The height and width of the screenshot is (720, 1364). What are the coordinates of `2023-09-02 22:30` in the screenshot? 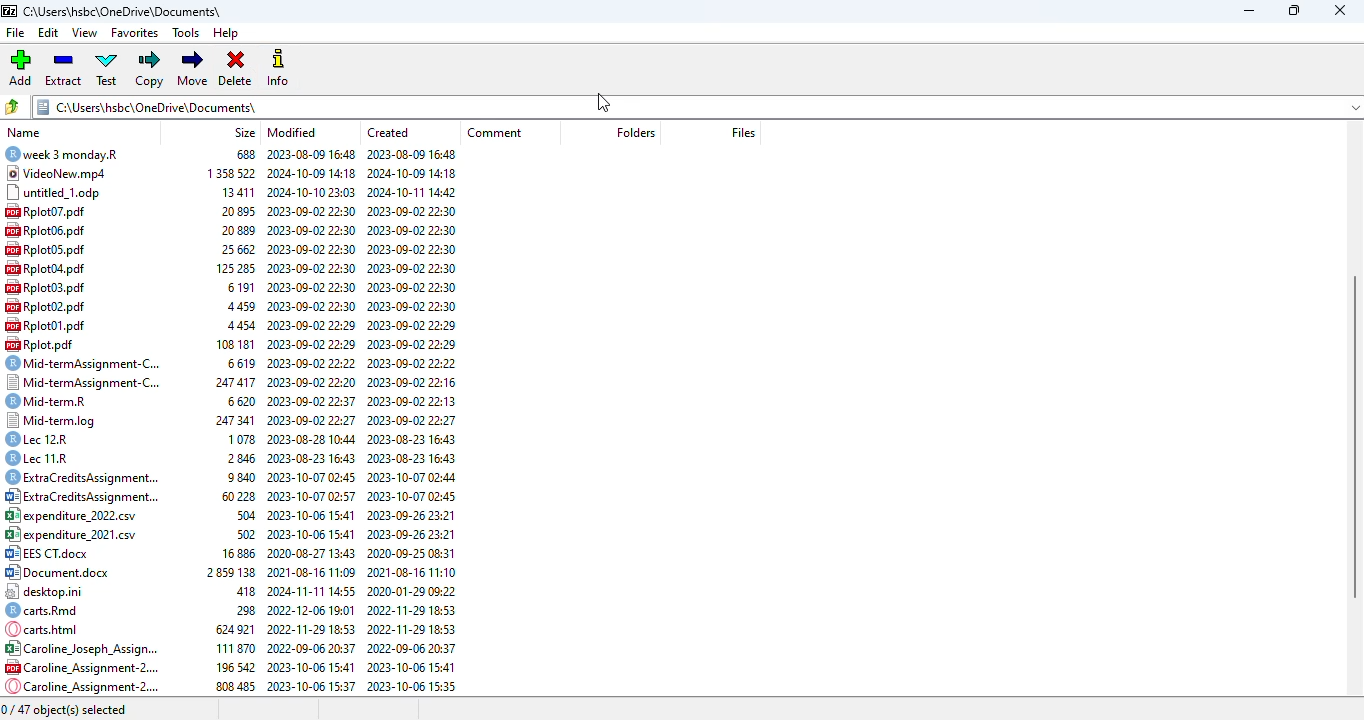 It's located at (312, 308).